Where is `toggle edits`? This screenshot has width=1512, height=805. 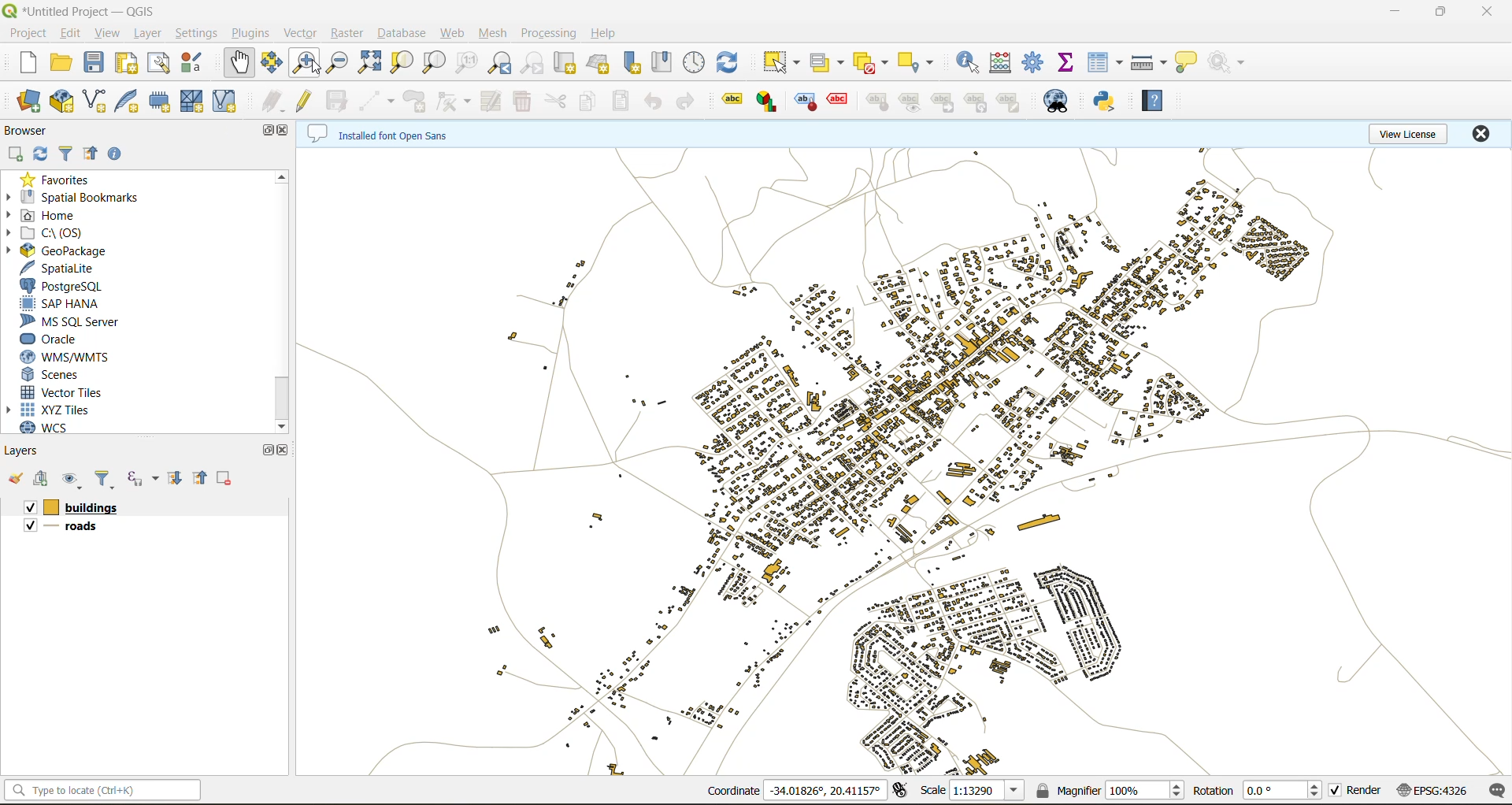 toggle edits is located at coordinates (306, 100).